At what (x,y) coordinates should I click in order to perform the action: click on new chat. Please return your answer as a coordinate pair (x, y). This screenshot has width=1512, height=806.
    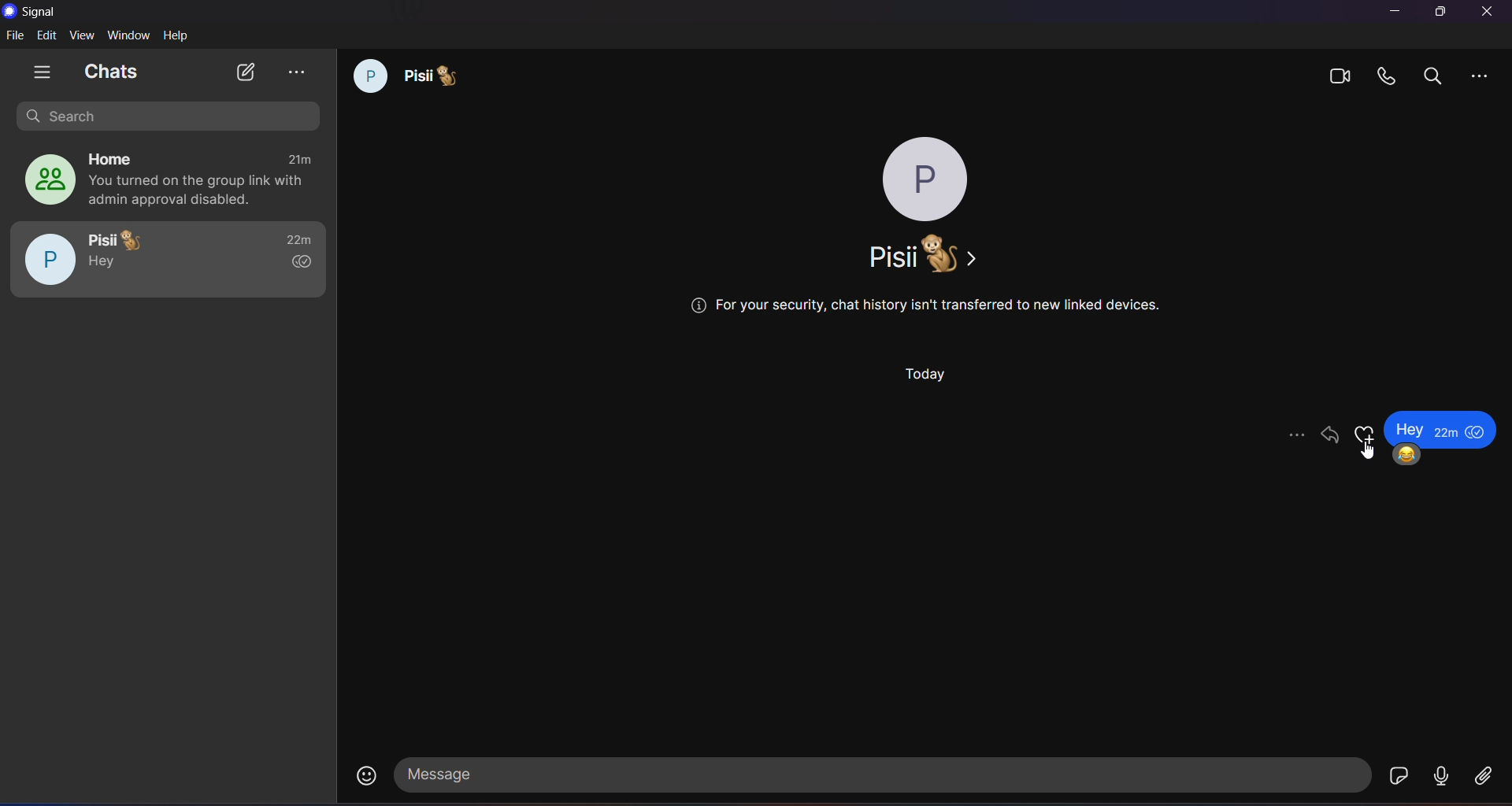
    Looking at the image, I should click on (246, 72).